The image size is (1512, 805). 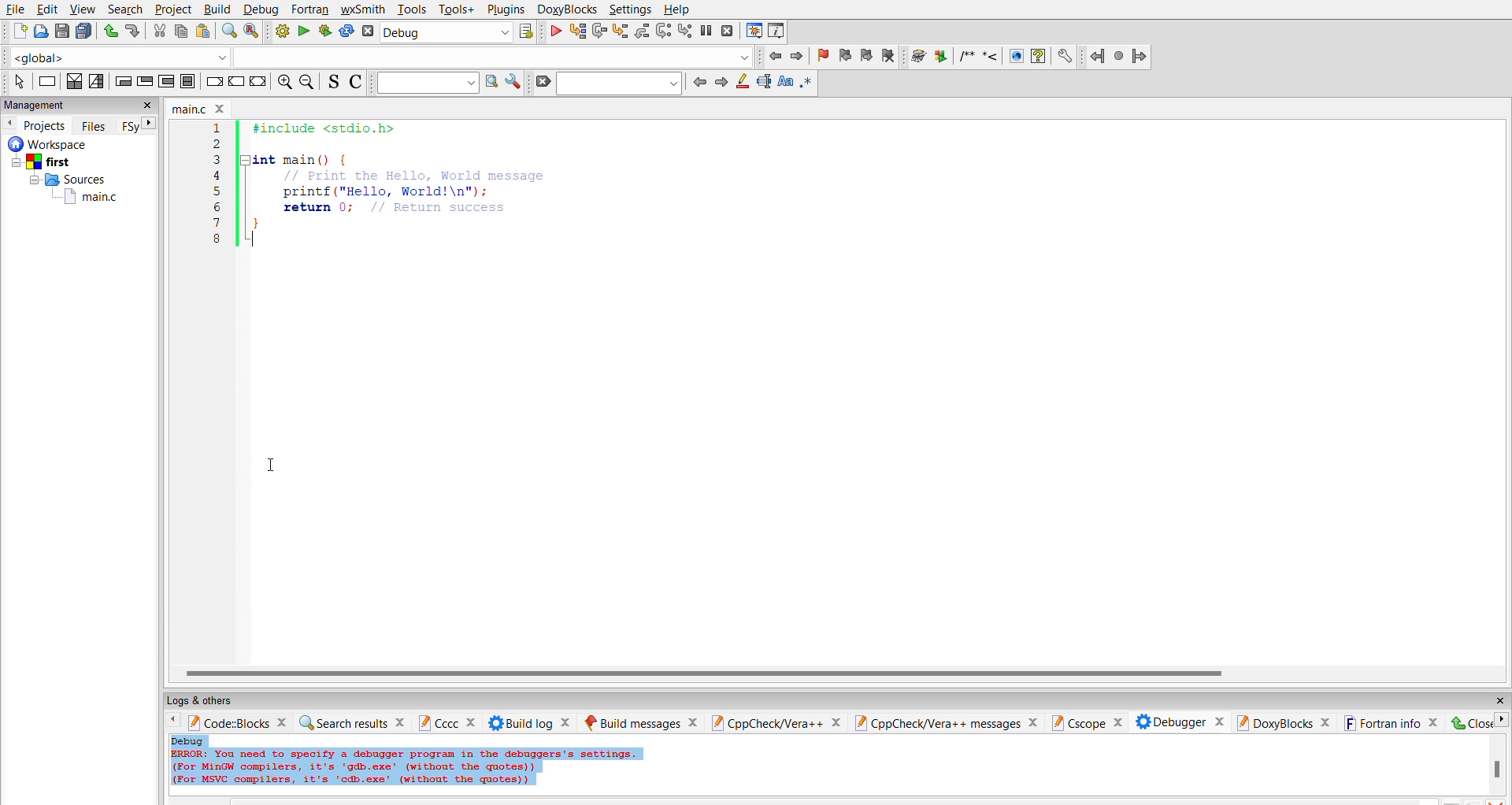 I want to click on file, so click(x=17, y=9).